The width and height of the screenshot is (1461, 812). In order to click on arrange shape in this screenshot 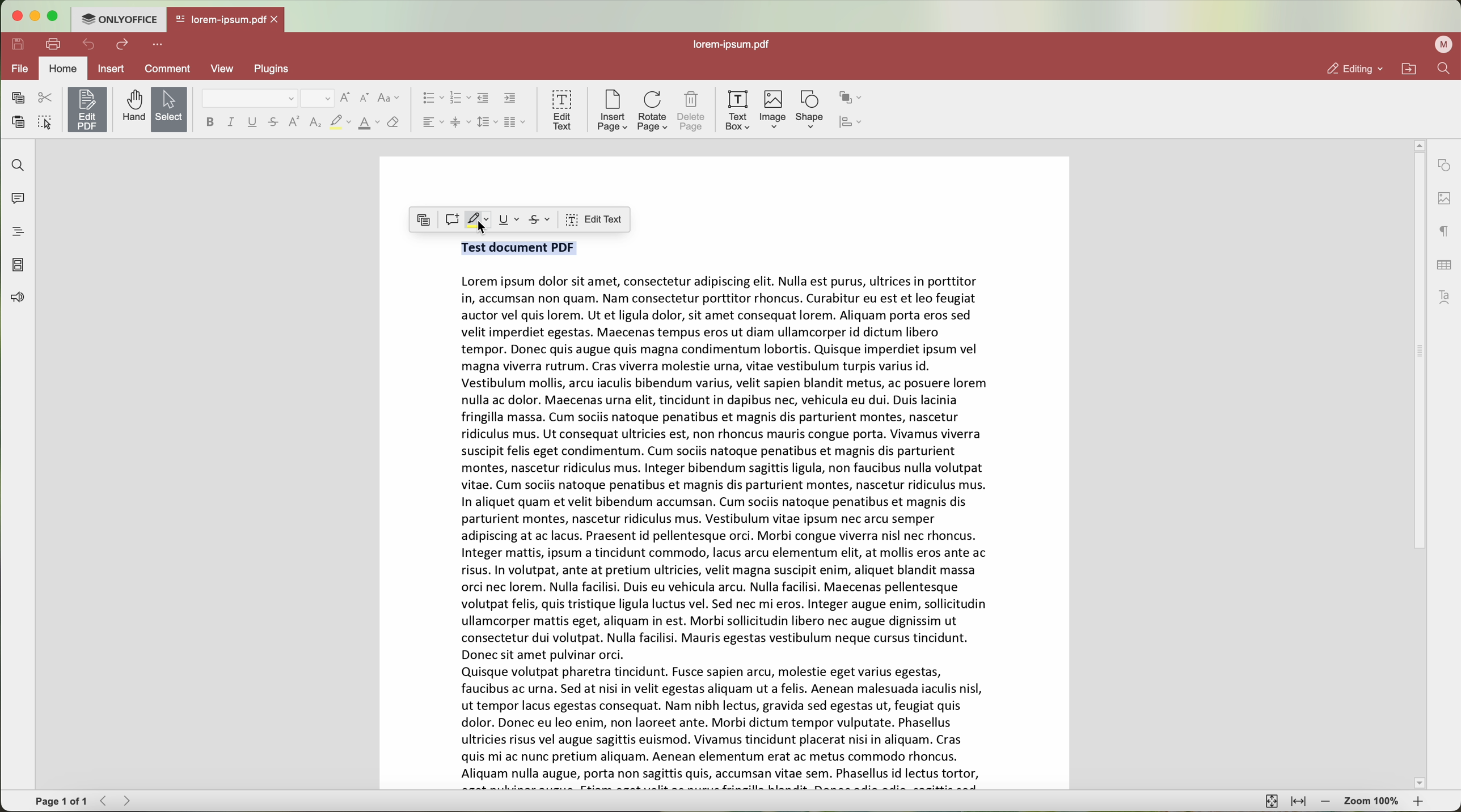, I will do `click(851, 98)`.